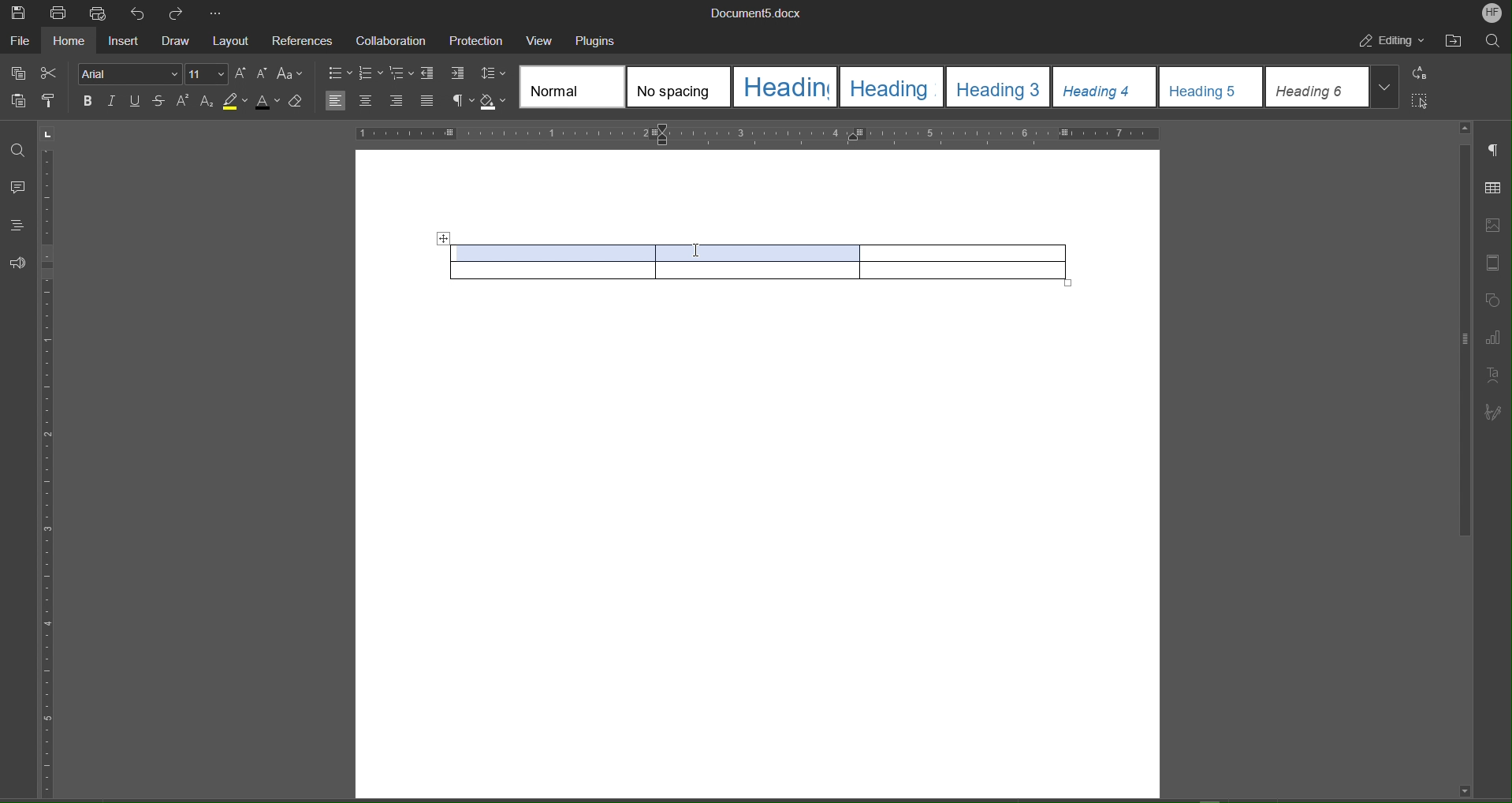 This screenshot has width=1512, height=803. What do you see at coordinates (102, 14) in the screenshot?
I see `Quick Print` at bounding box center [102, 14].